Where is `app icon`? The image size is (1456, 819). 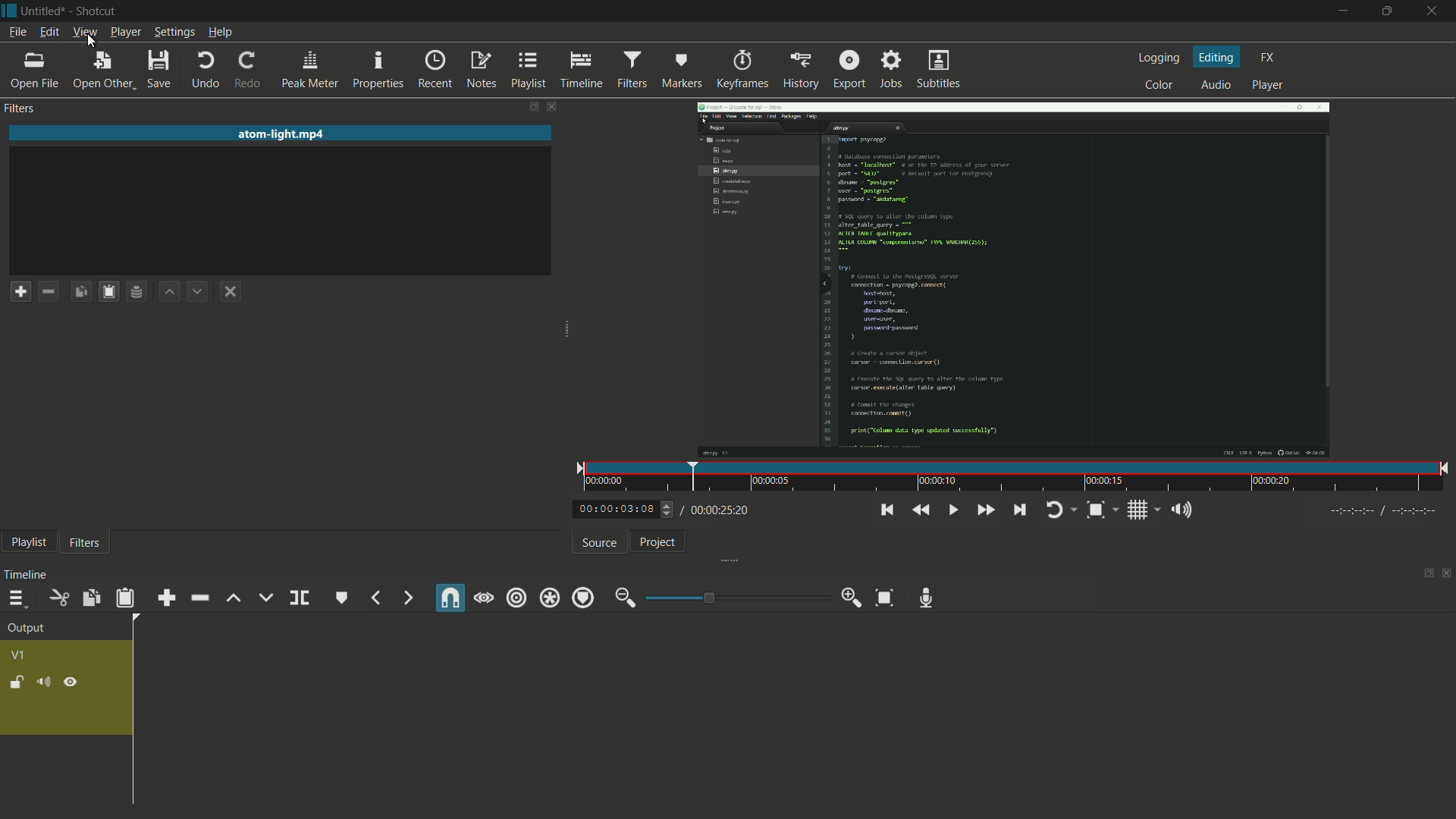 app icon is located at coordinates (9, 9).